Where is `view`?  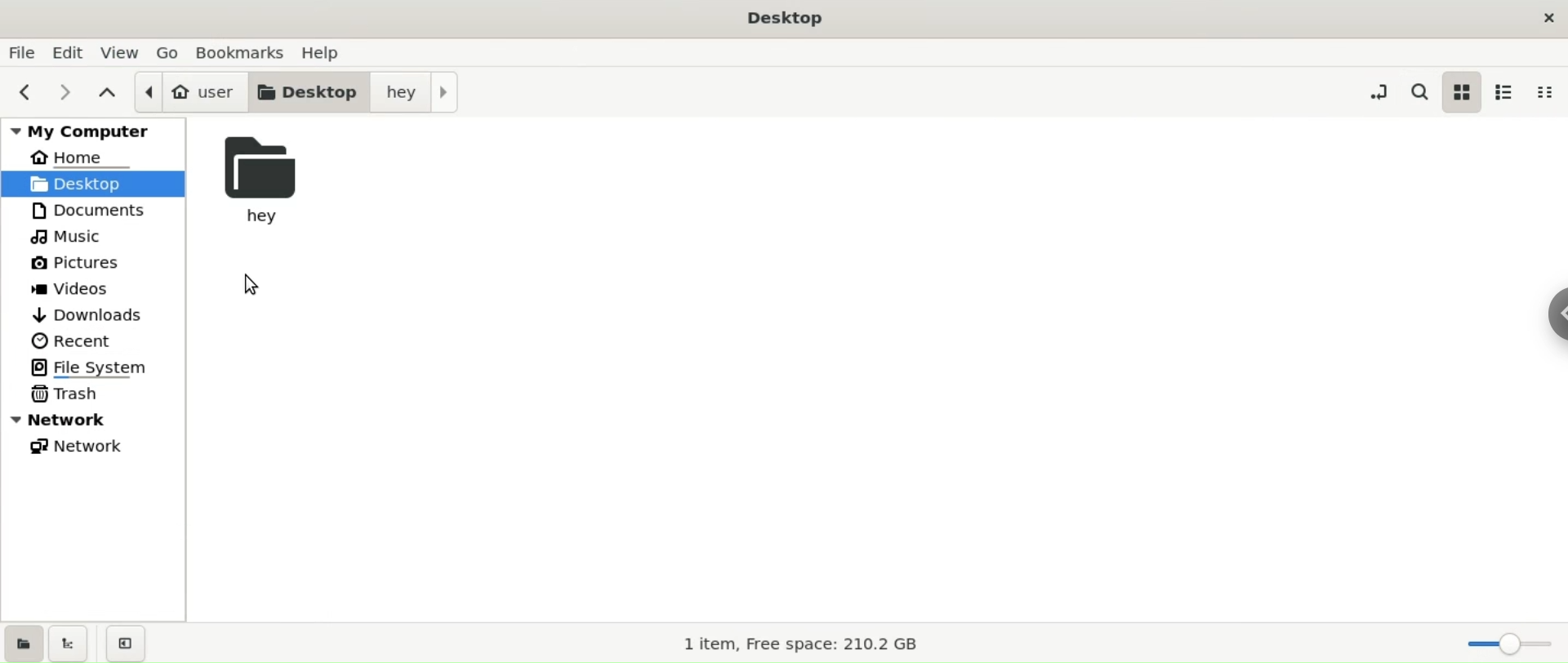
view is located at coordinates (121, 52).